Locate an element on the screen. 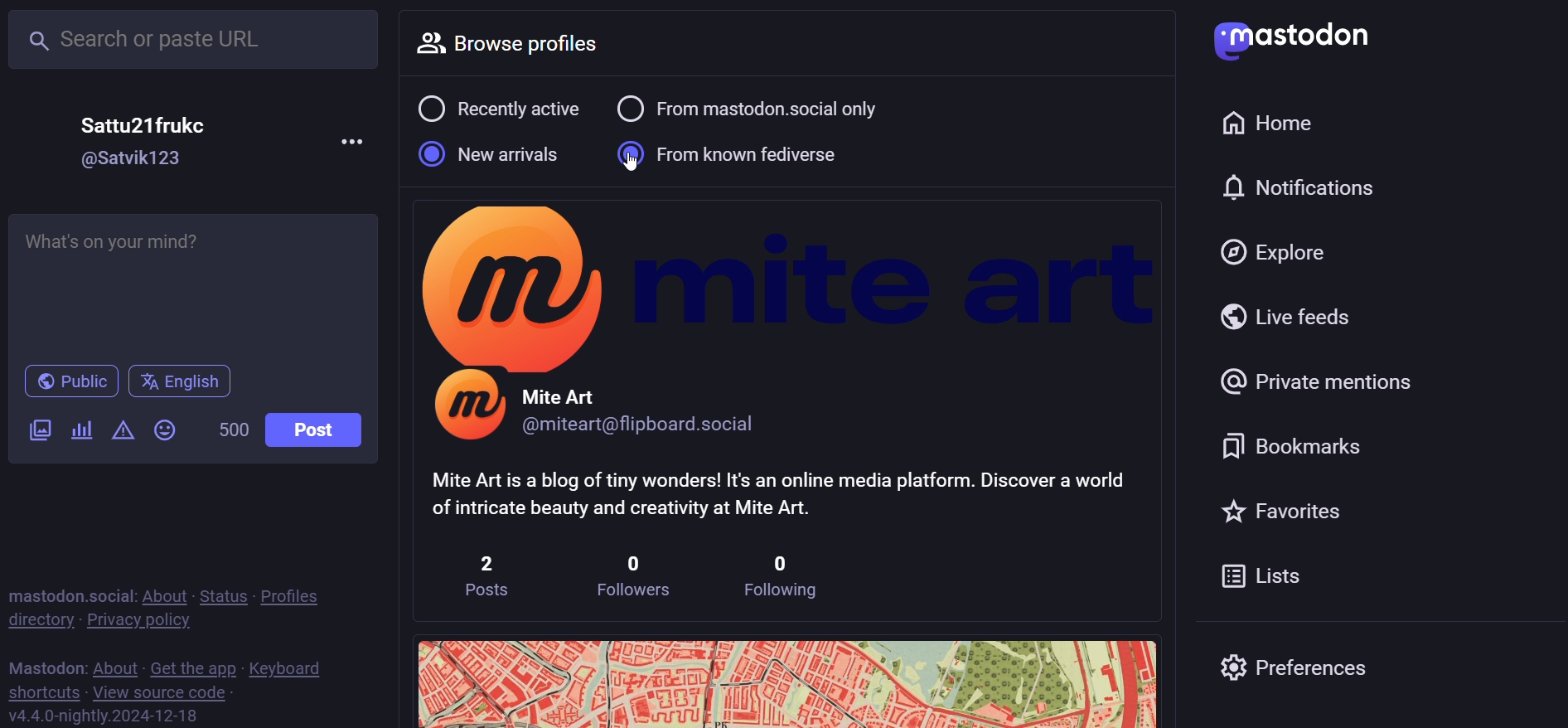 This screenshot has height=728, width=1568. selected from known fediverse is located at coordinates (738, 151).